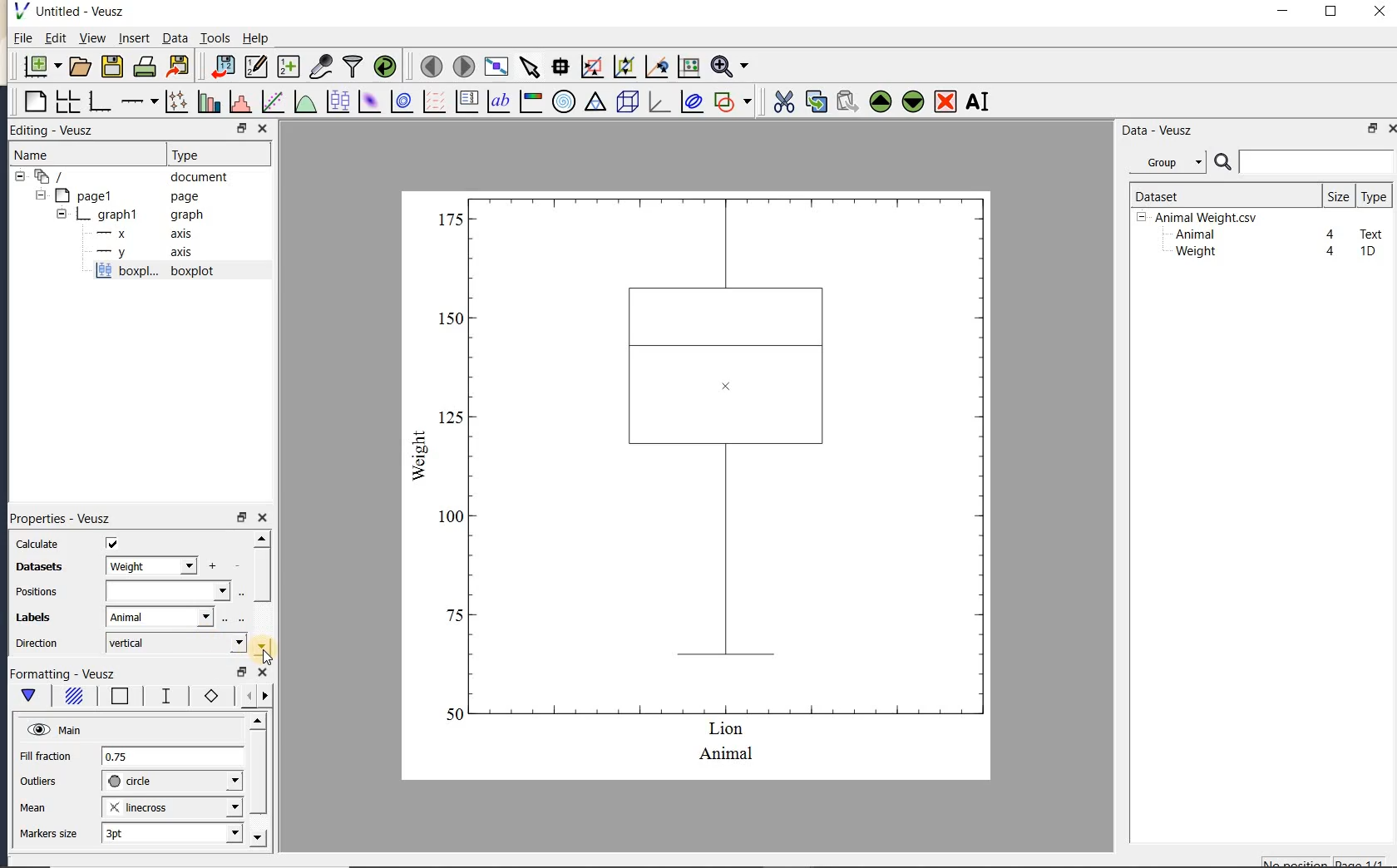  What do you see at coordinates (208, 696) in the screenshot?
I see `markers border` at bounding box center [208, 696].